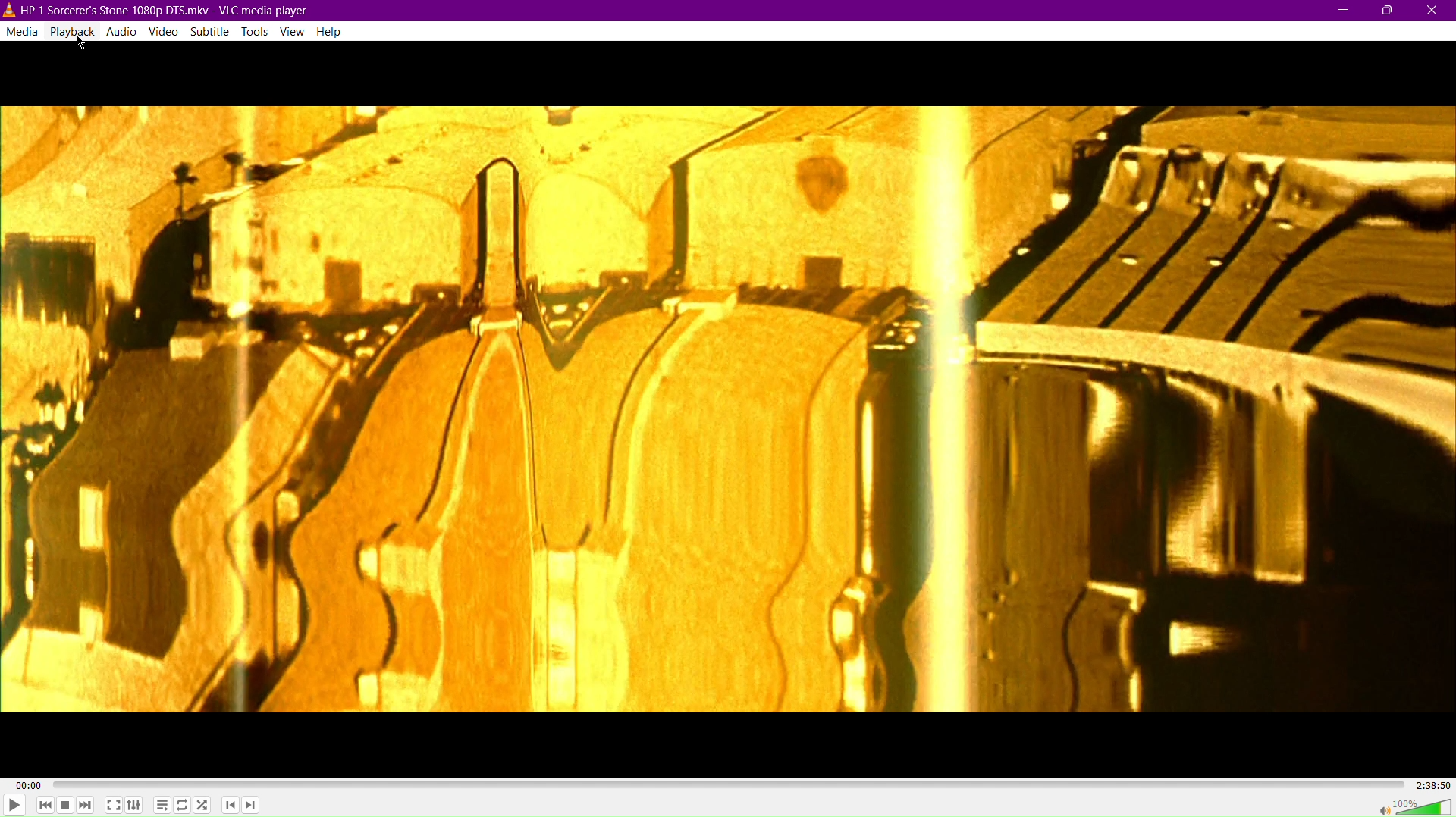 The width and height of the screenshot is (1456, 817). Describe the element at coordinates (230, 806) in the screenshot. I see `Previous Chapter` at that location.